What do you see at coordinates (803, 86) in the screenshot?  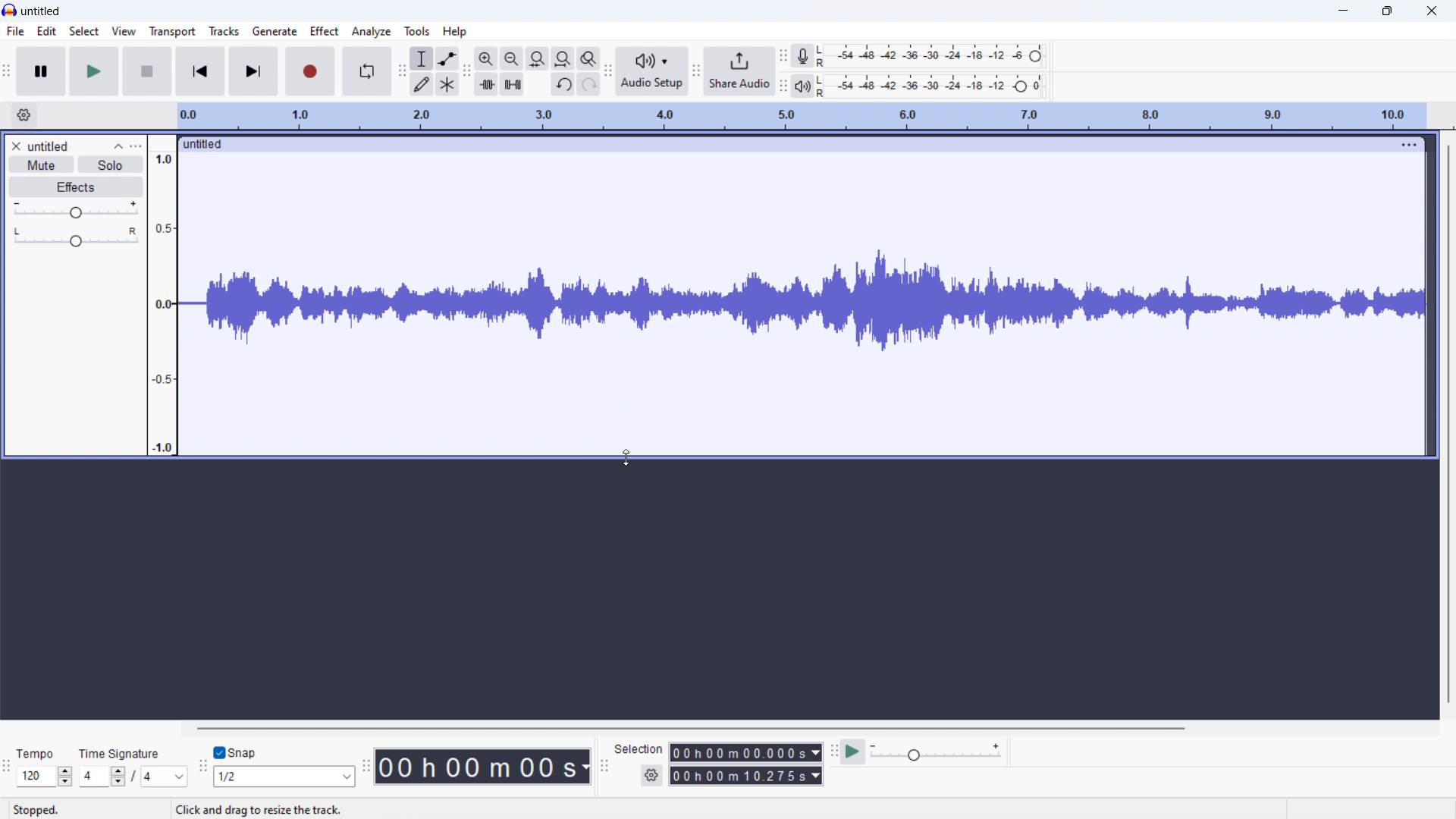 I see `playback meter` at bounding box center [803, 86].